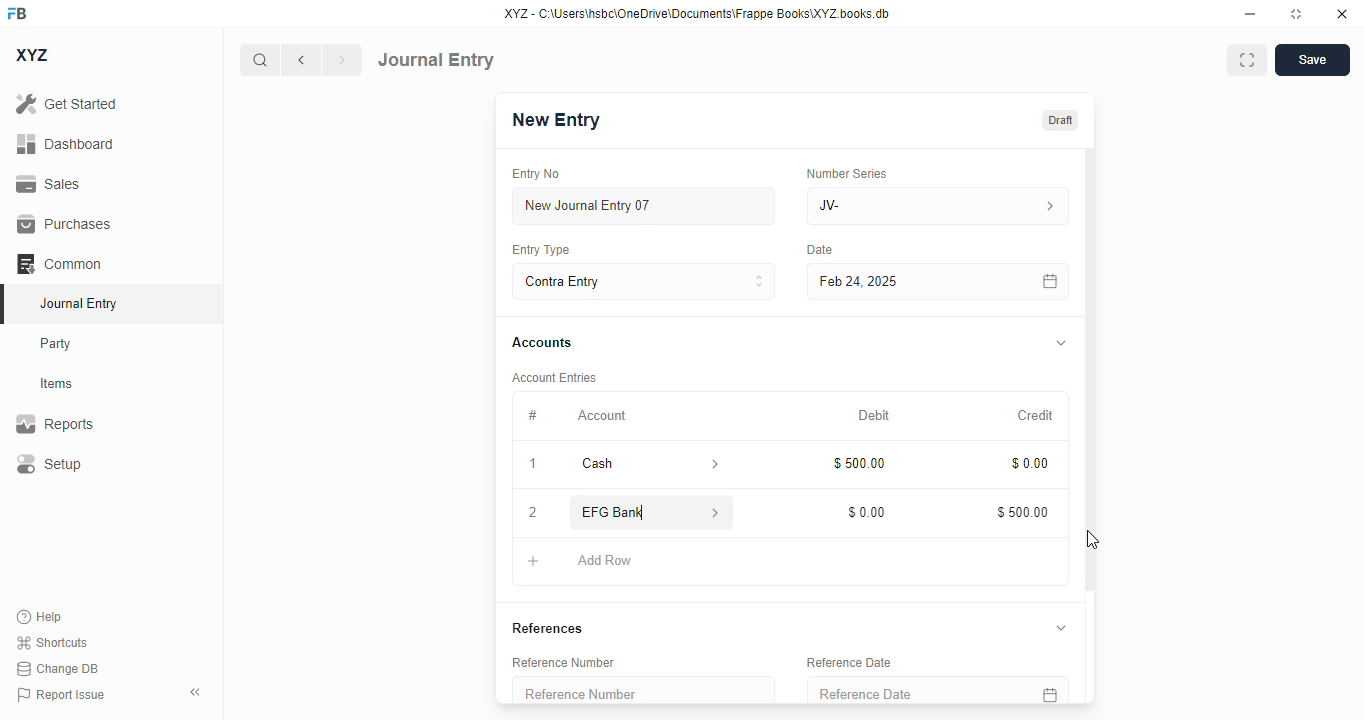 This screenshot has width=1364, height=720. I want to click on help, so click(40, 617).